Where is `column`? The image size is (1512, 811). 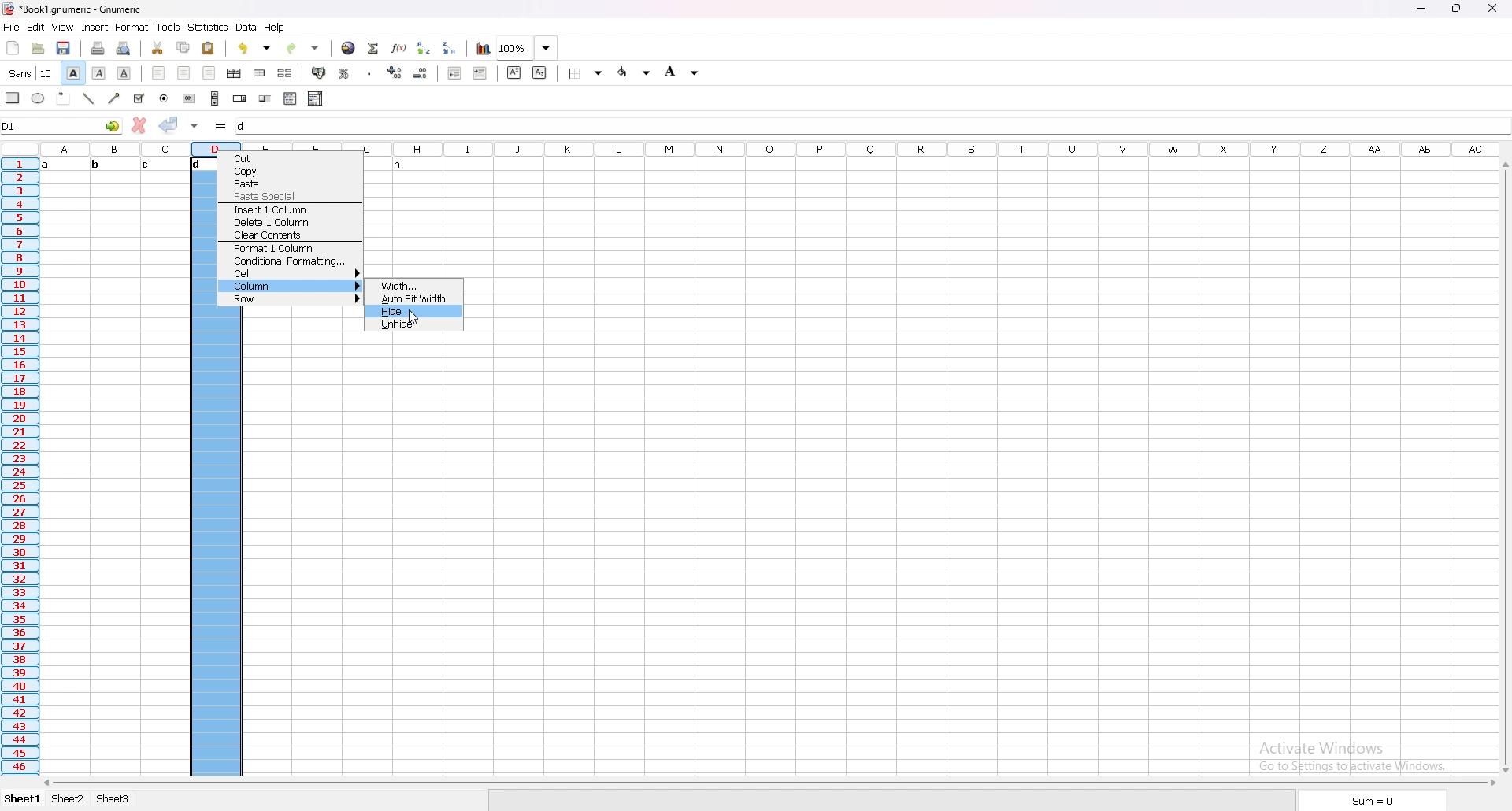 column is located at coordinates (289, 286).